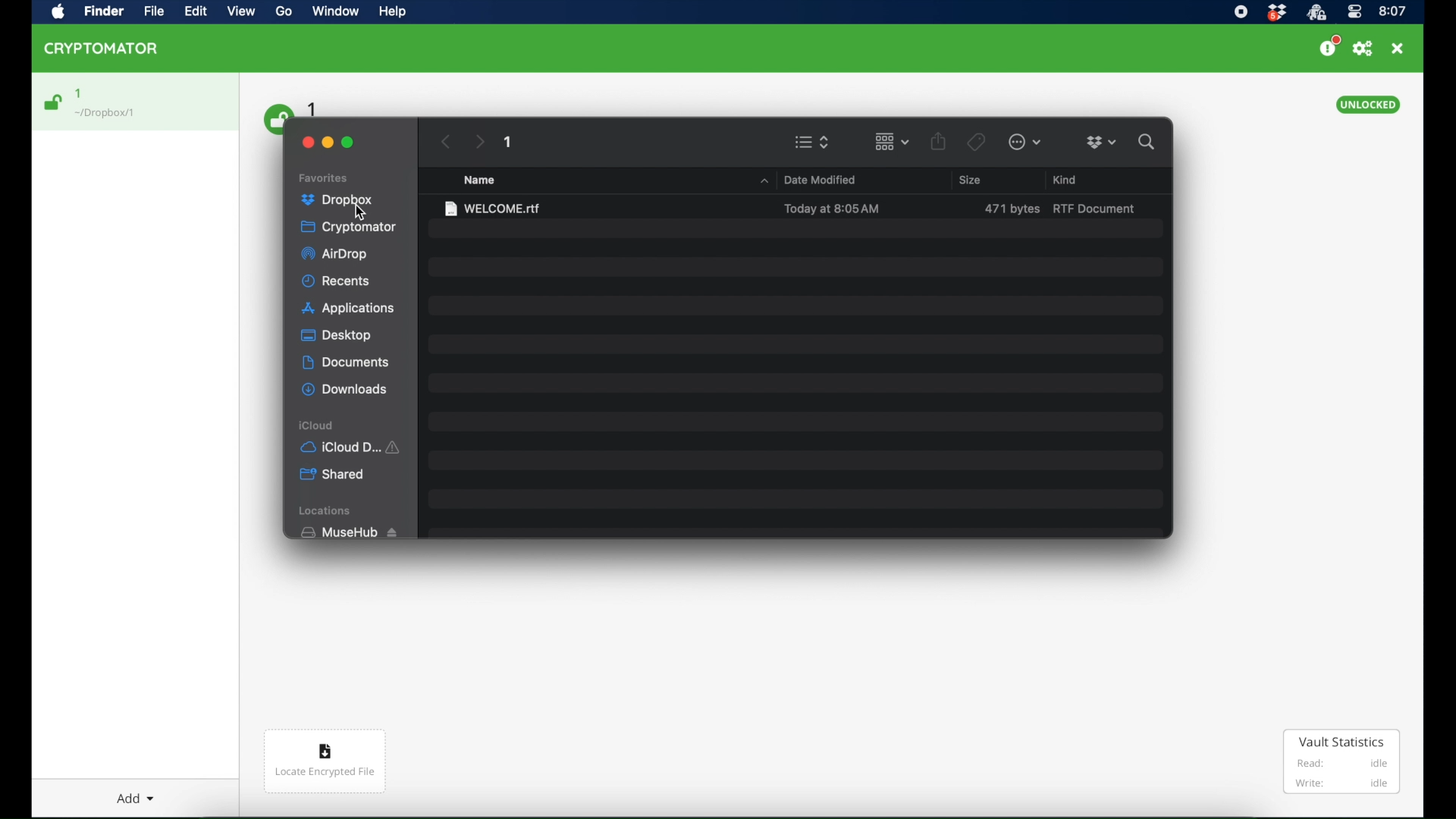  Describe the element at coordinates (1398, 49) in the screenshot. I see `close` at that location.